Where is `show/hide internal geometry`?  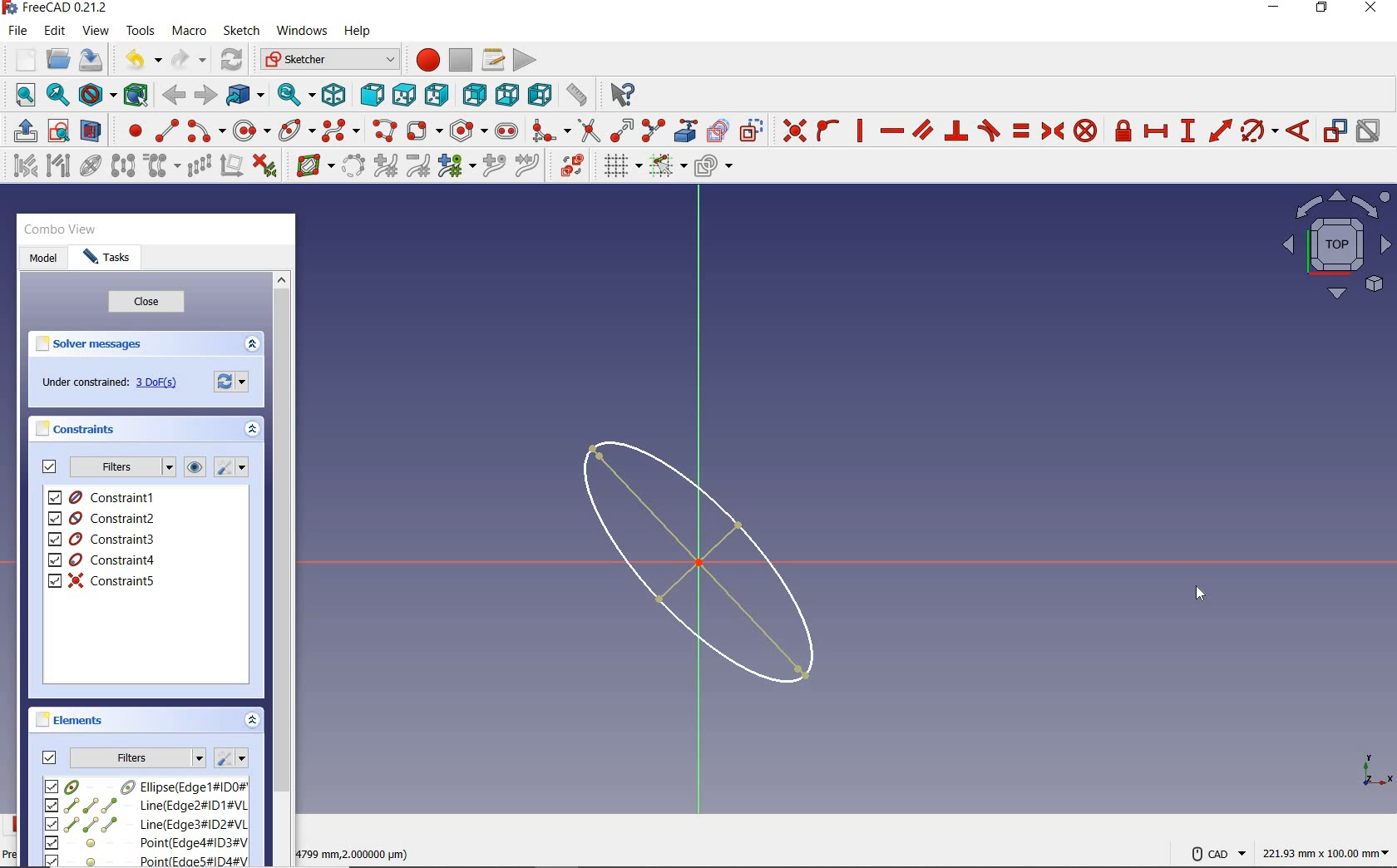
show/hide internal geometry is located at coordinates (93, 165).